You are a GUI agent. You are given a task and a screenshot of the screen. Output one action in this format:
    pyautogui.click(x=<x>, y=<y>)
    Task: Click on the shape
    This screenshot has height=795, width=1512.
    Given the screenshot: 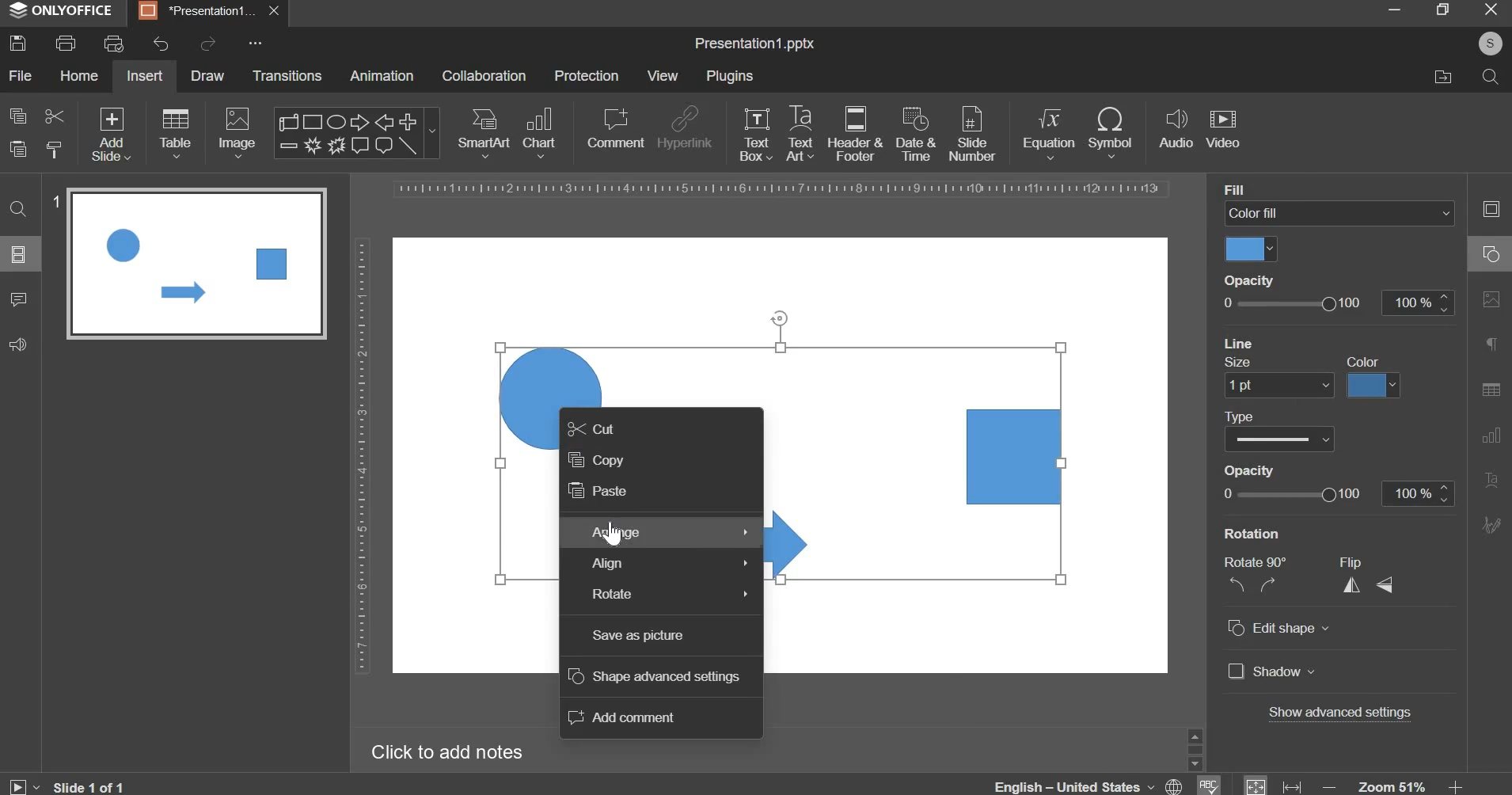 What is the action you would take?
    pyautogui.click(x=355, y=133)
    